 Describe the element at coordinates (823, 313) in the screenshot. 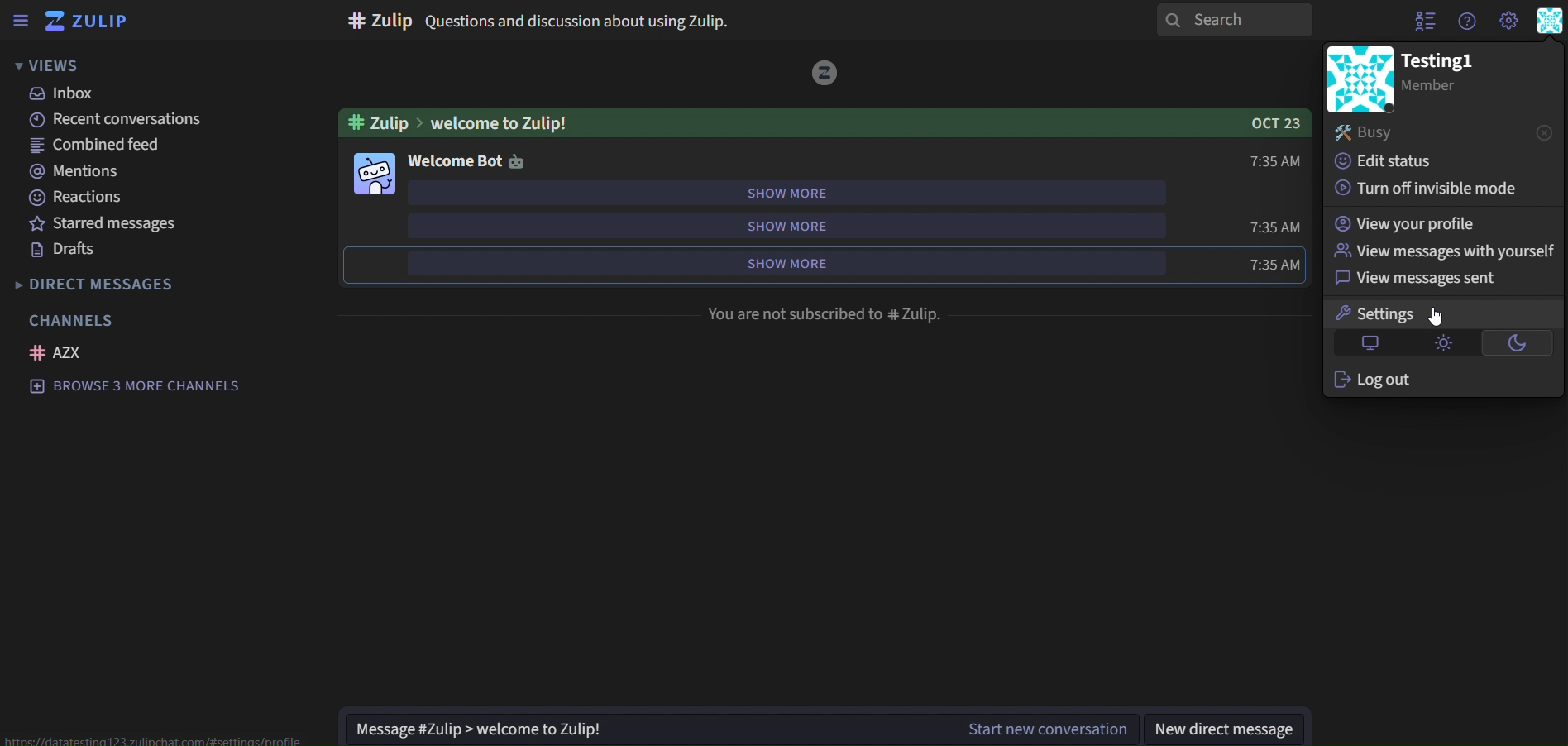

I see `You are not described to #zulip` at that location.